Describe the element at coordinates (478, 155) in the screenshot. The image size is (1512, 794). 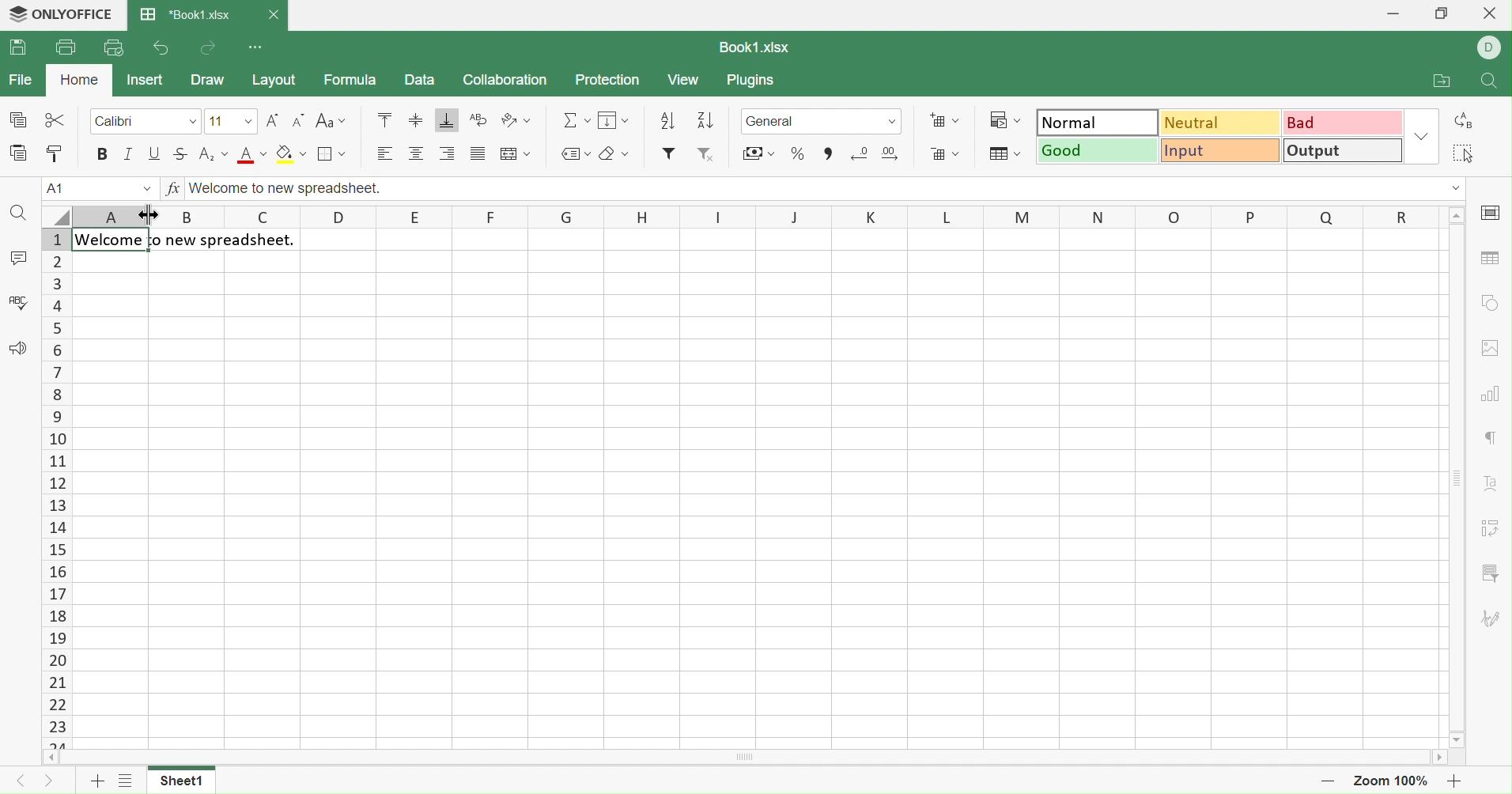
I see `Justified` at that location.